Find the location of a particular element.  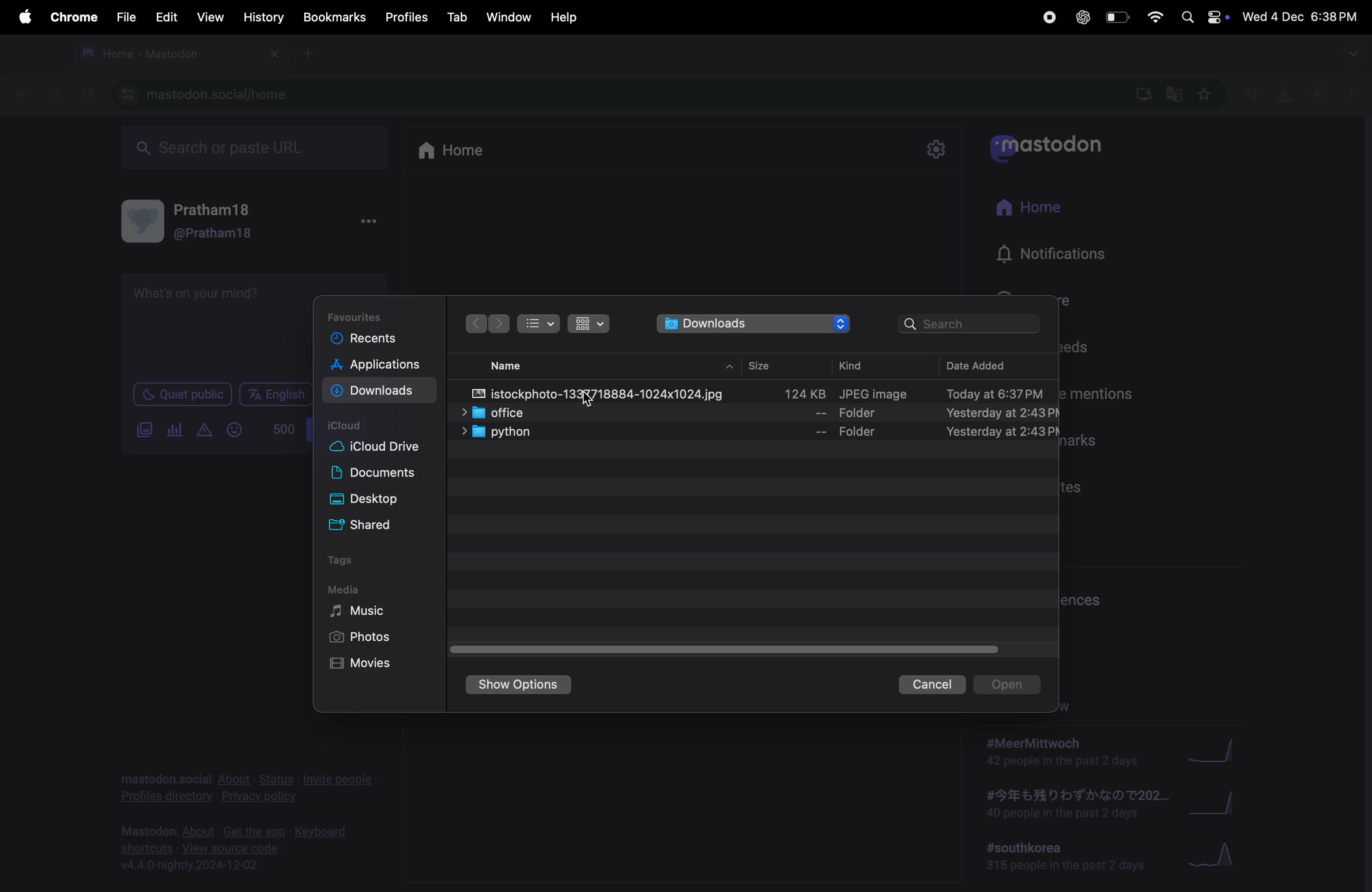

edit is located at coordinates (166, 16).